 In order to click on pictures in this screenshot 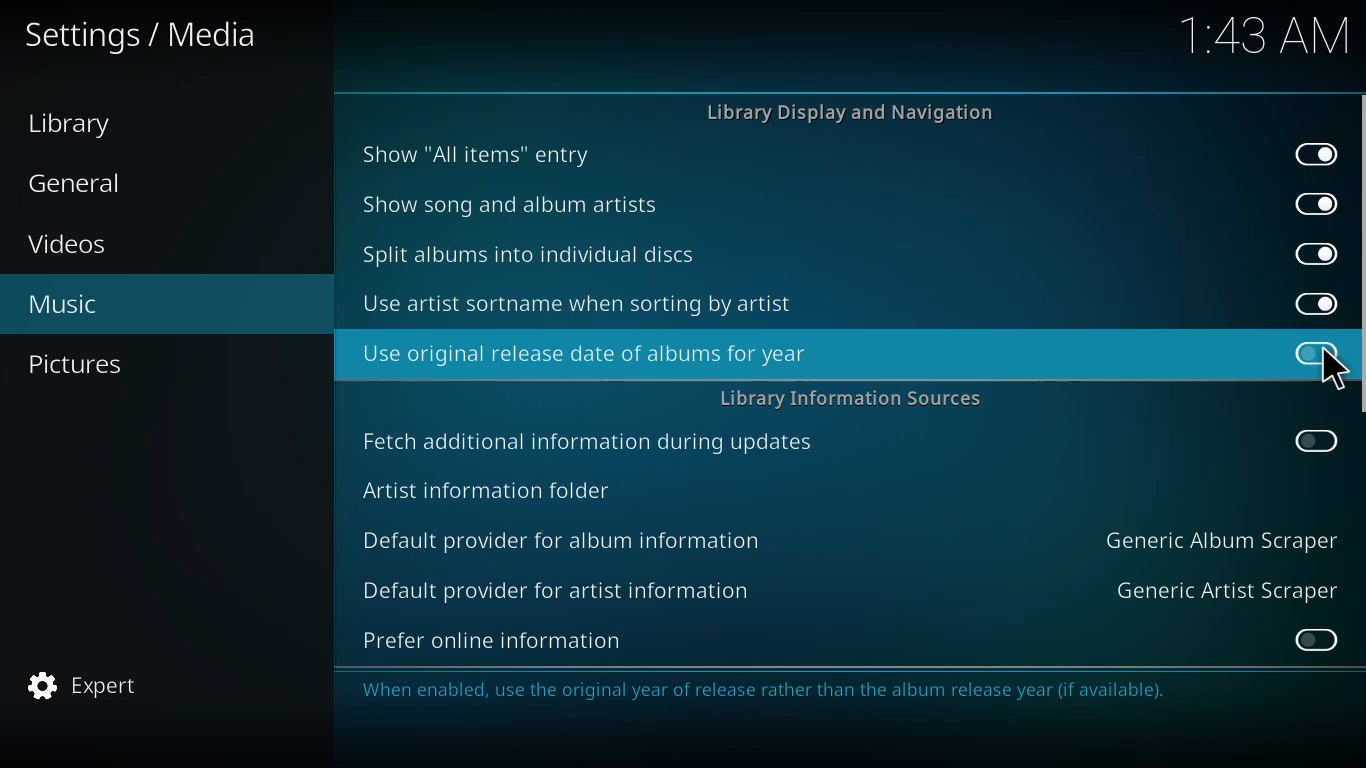, I will do `click(78, 362)`.